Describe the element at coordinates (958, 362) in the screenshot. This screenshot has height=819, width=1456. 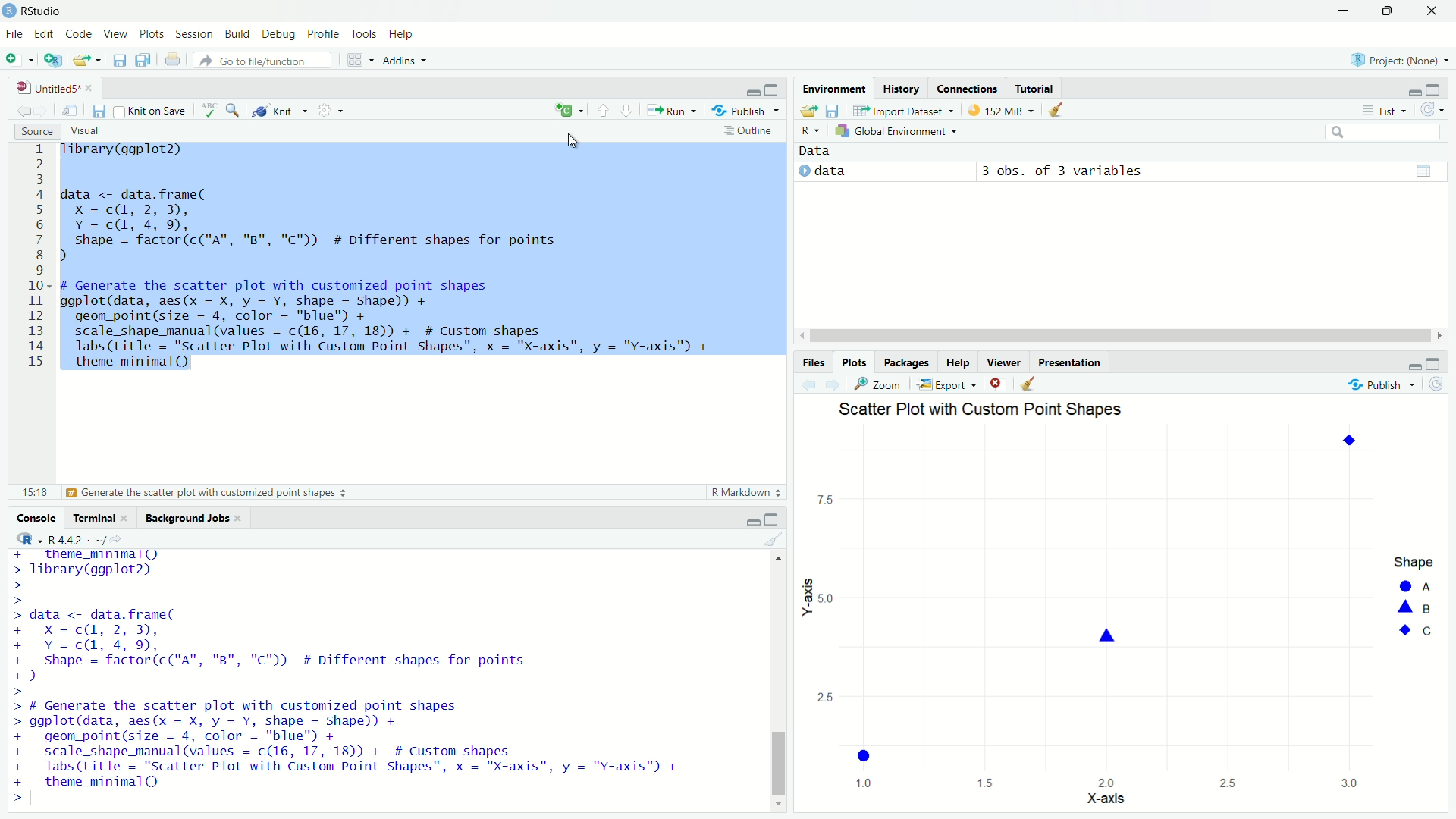
I see `Help` at that location.